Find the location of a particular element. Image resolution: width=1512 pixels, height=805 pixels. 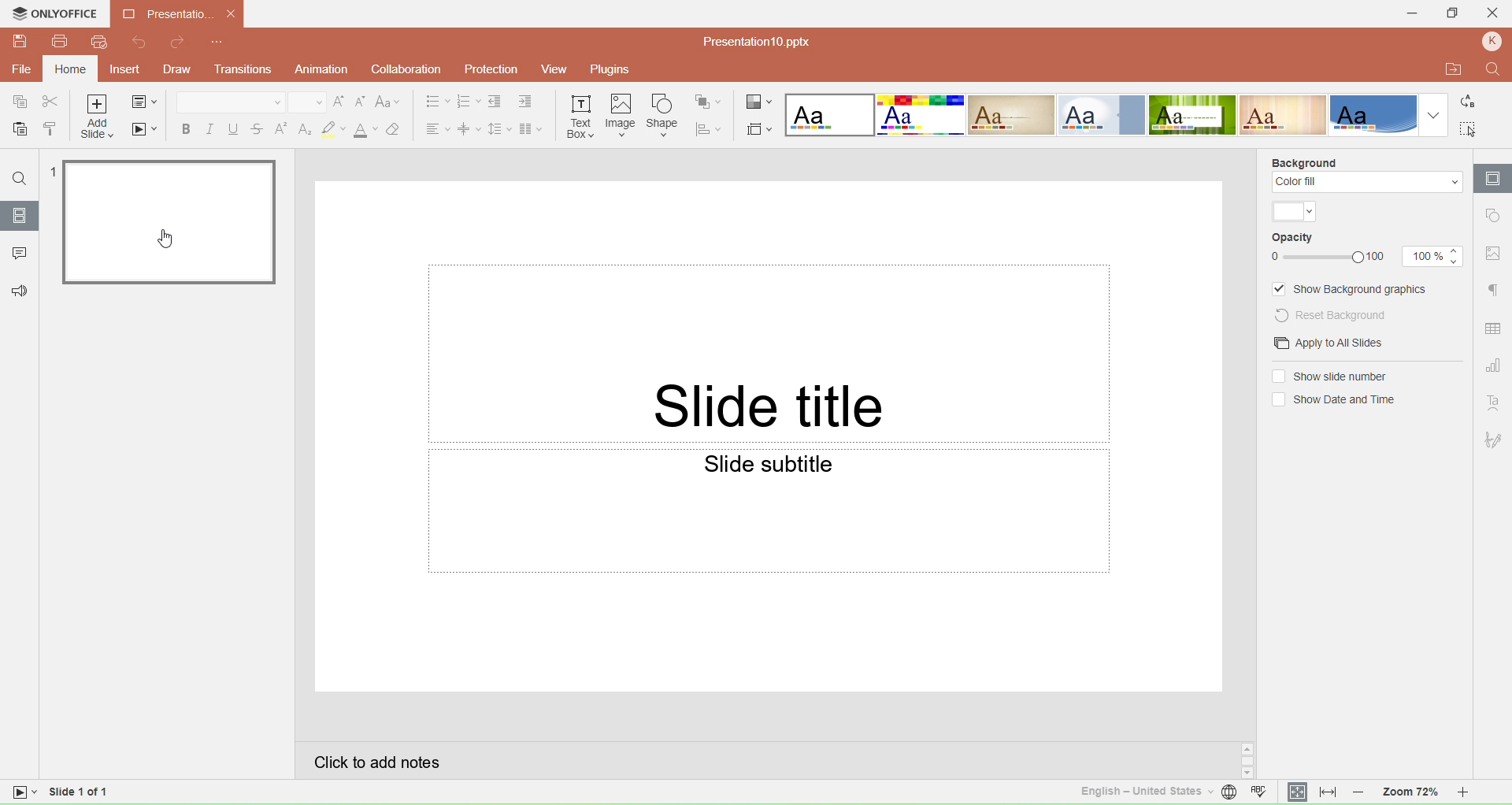

Apply to all slides is located at coordinates (1323, 343).